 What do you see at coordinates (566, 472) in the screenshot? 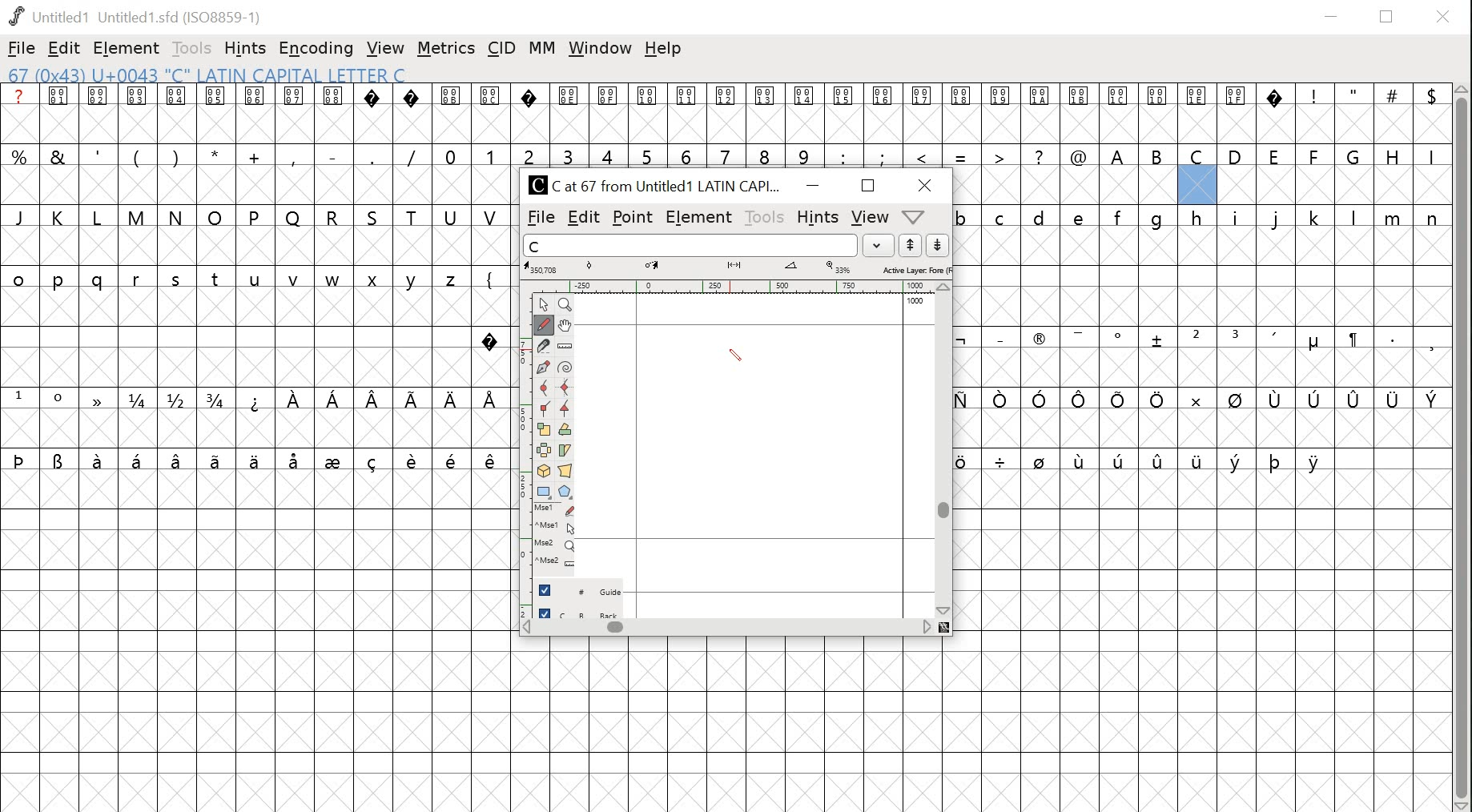
I see `perspective` at bounding box center [566, 472].